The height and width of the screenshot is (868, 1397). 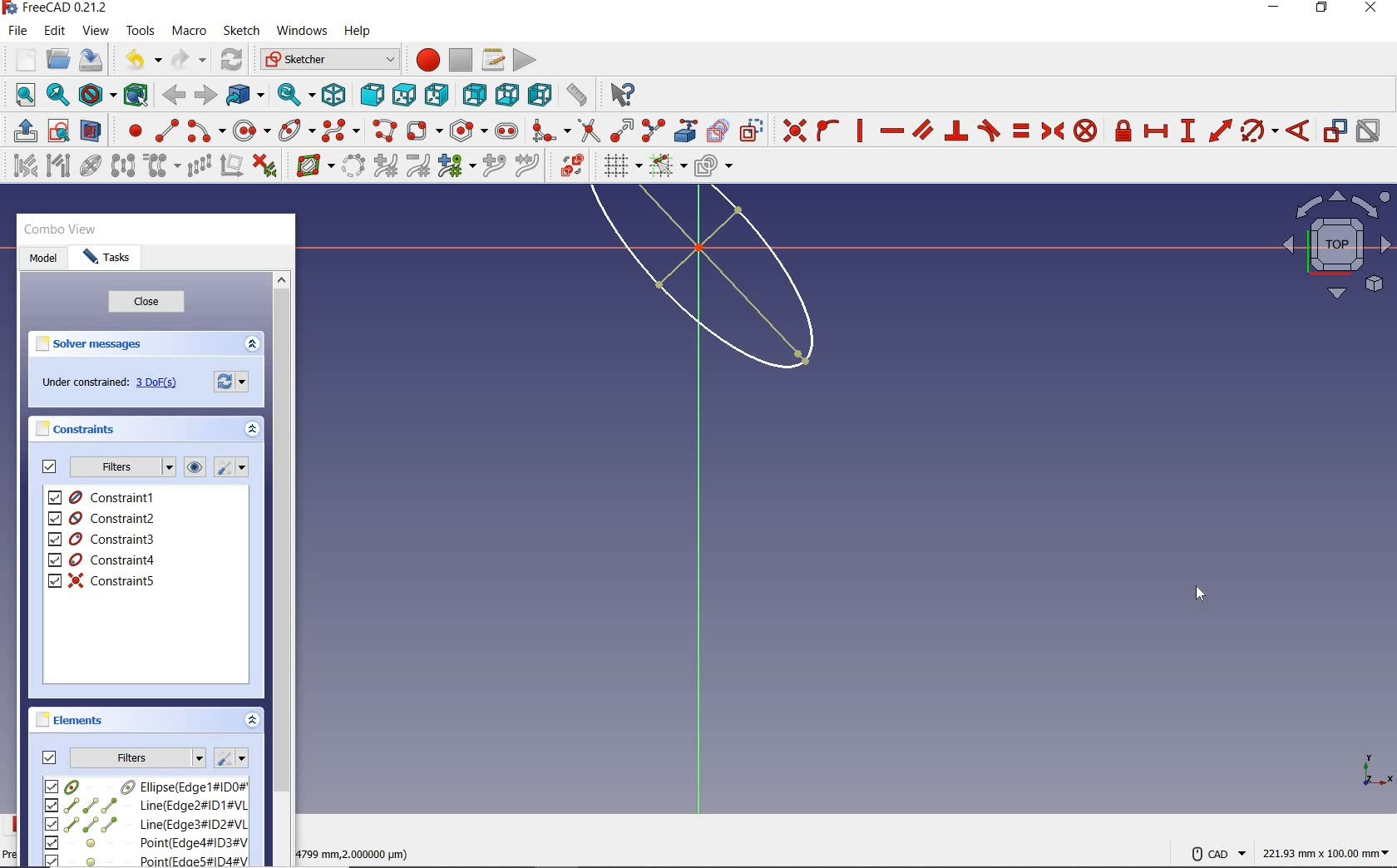 I want to click on filters, so click(x=138, y=756).